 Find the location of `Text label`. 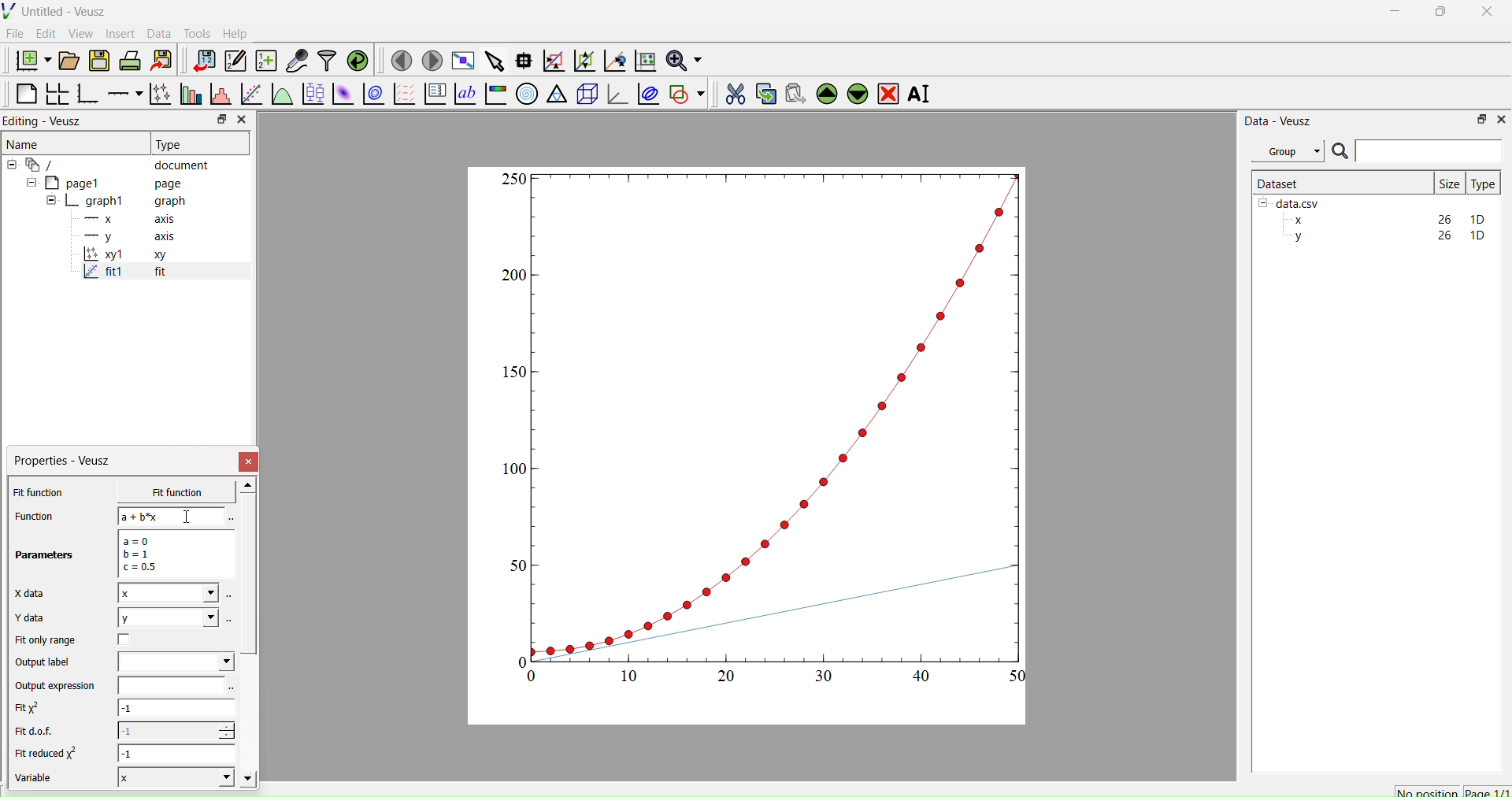

Text label is located at coordinates (464, 94).